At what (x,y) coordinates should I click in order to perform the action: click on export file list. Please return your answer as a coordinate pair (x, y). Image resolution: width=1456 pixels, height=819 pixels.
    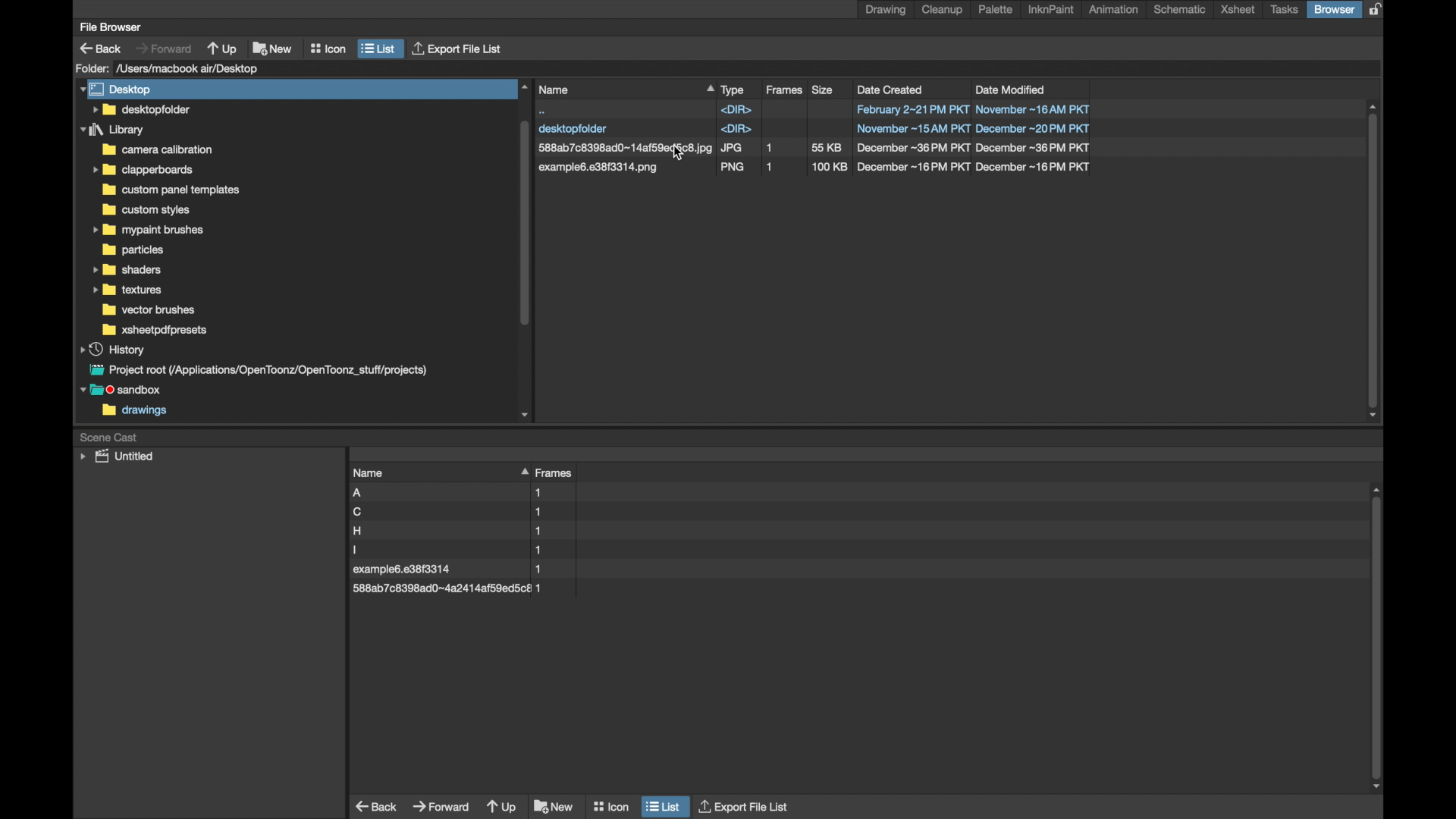
    Looking at the image, I should click on (459, 49).